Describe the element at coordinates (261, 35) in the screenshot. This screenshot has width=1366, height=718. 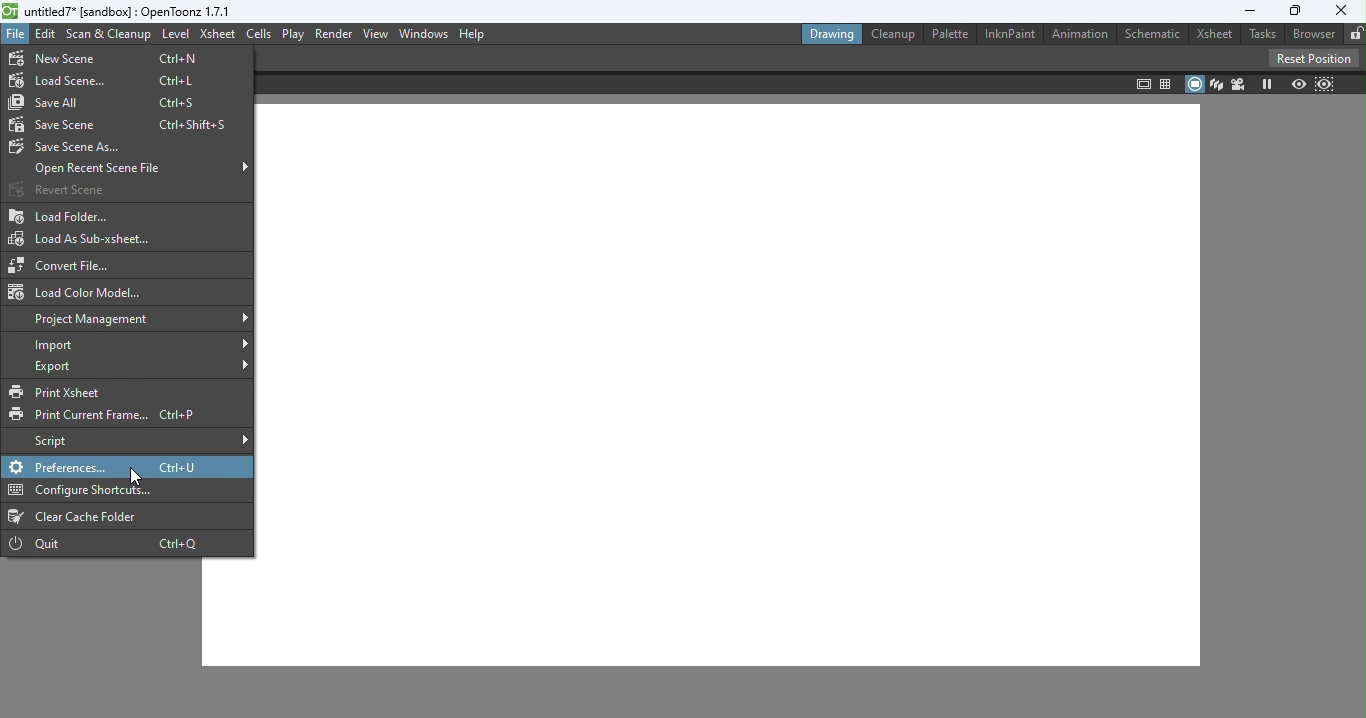
I see `Cells` at that location.